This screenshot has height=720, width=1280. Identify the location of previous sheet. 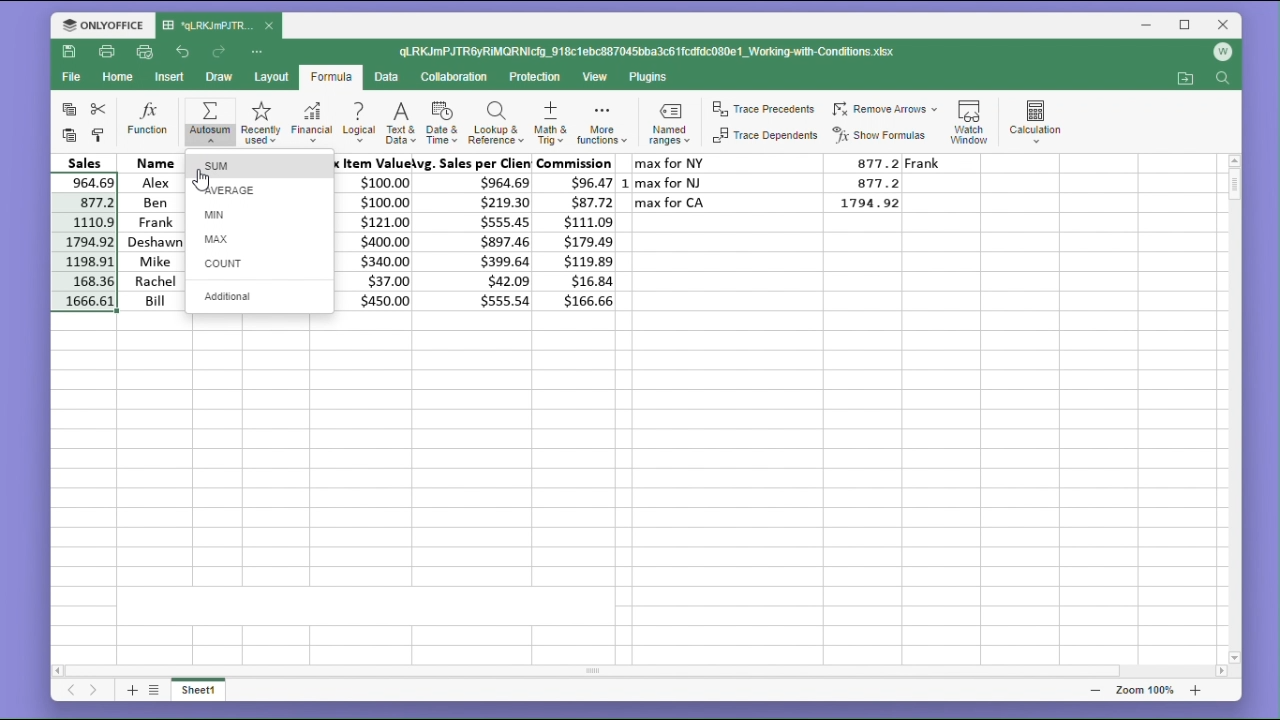
(70, 693).